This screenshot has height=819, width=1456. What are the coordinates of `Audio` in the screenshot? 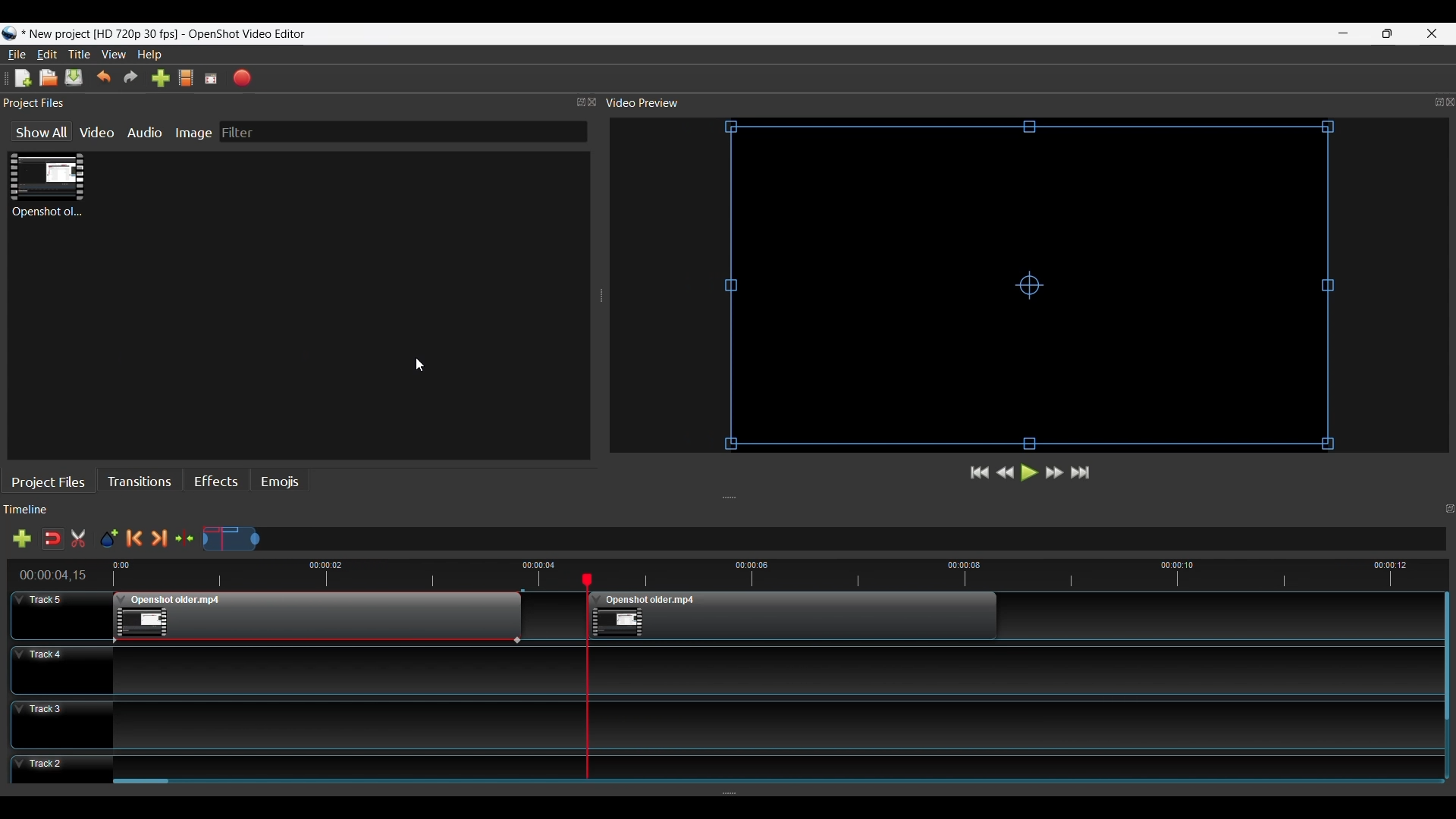 It's located at (147, 132).